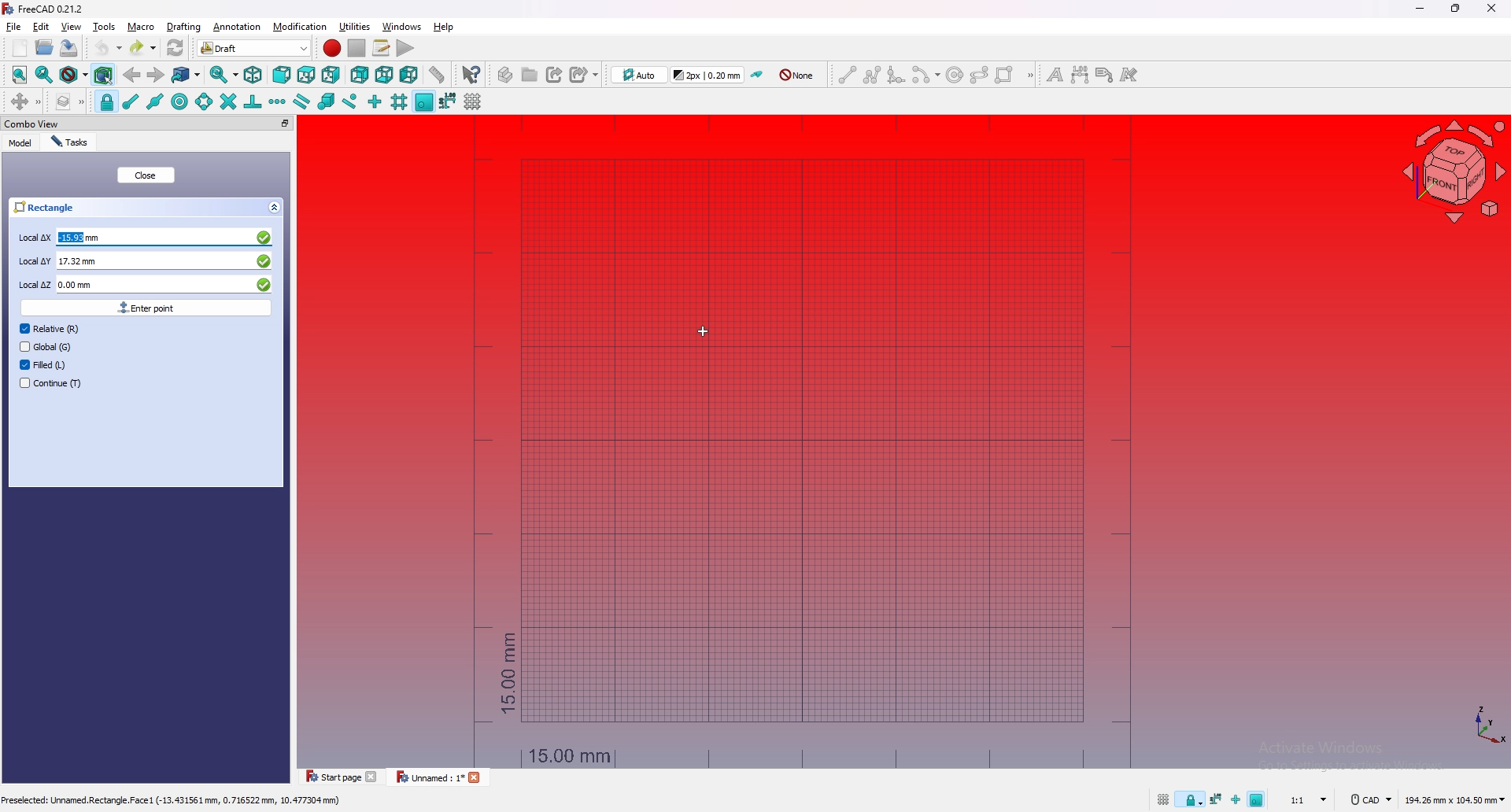  What do you see at coordinates (45, 47) in the screenshot?
I see `open` at bounding box center [45, 47].